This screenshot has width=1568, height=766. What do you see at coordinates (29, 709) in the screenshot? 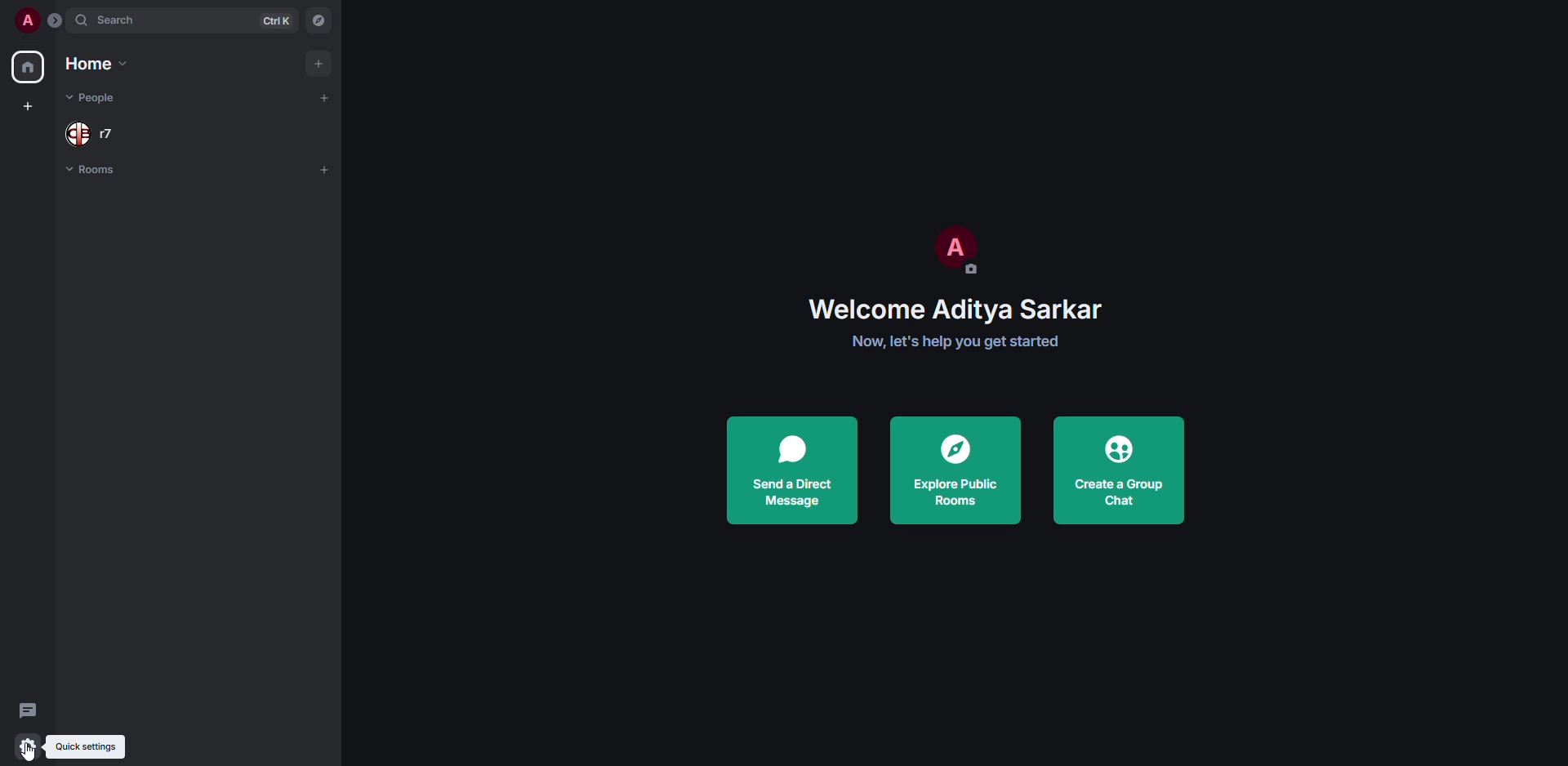
I see `threads` at bounding box center [29, 709].